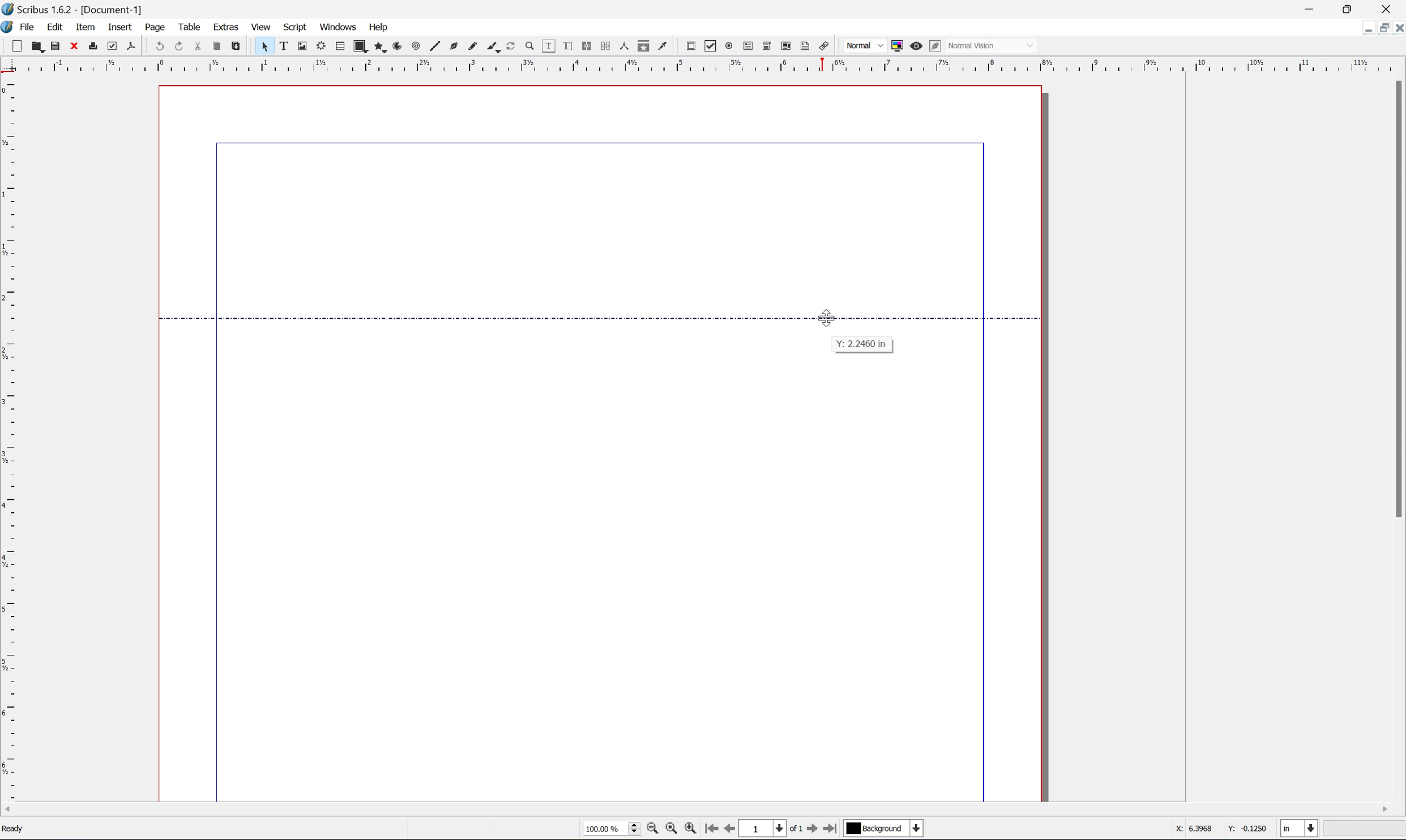 This screenshot has width=1406, height=840. Describe the element at coordinates (340, 48) in the screenshot. I see `table` at that location.